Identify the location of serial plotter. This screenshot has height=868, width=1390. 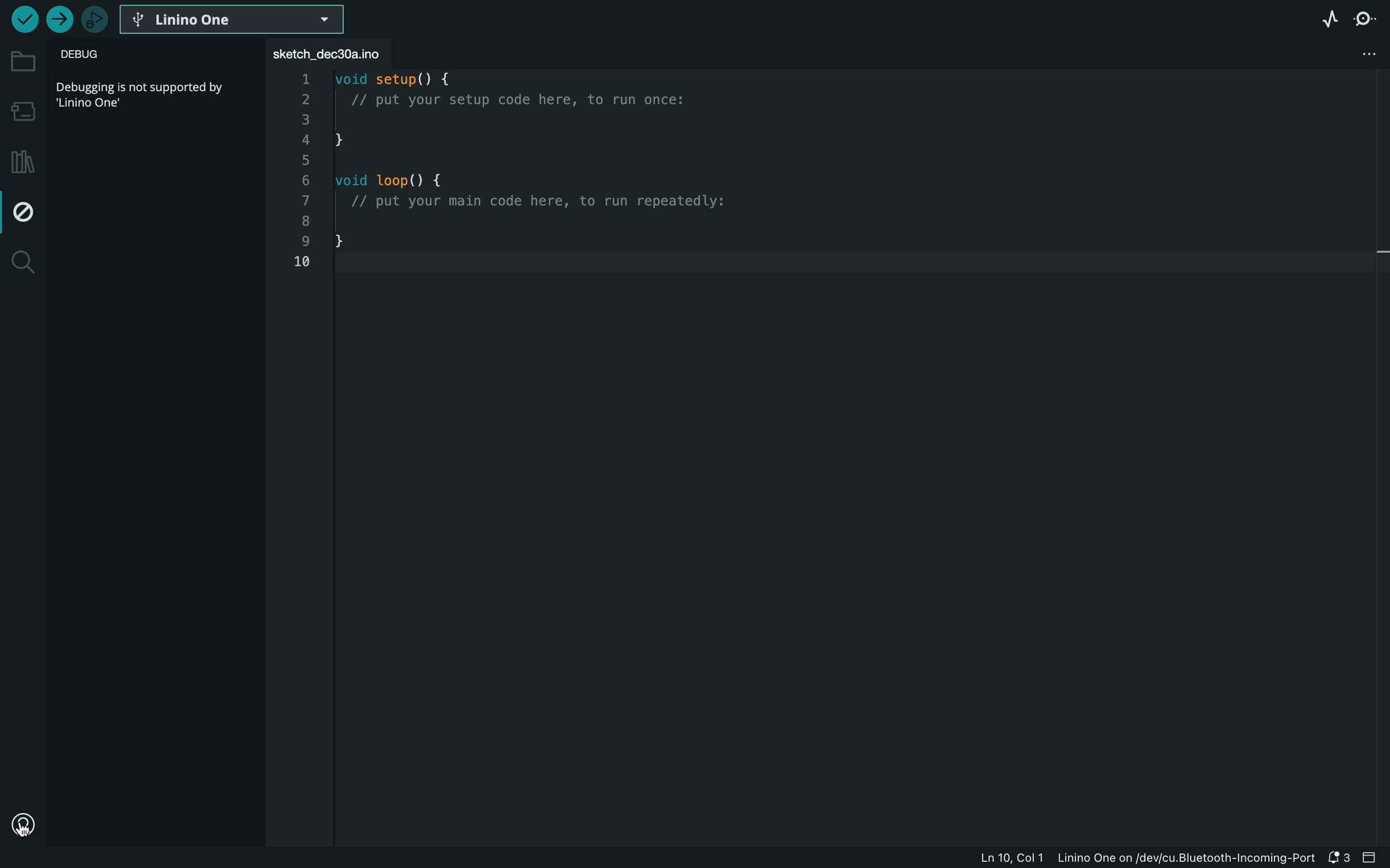
(1323, 18).